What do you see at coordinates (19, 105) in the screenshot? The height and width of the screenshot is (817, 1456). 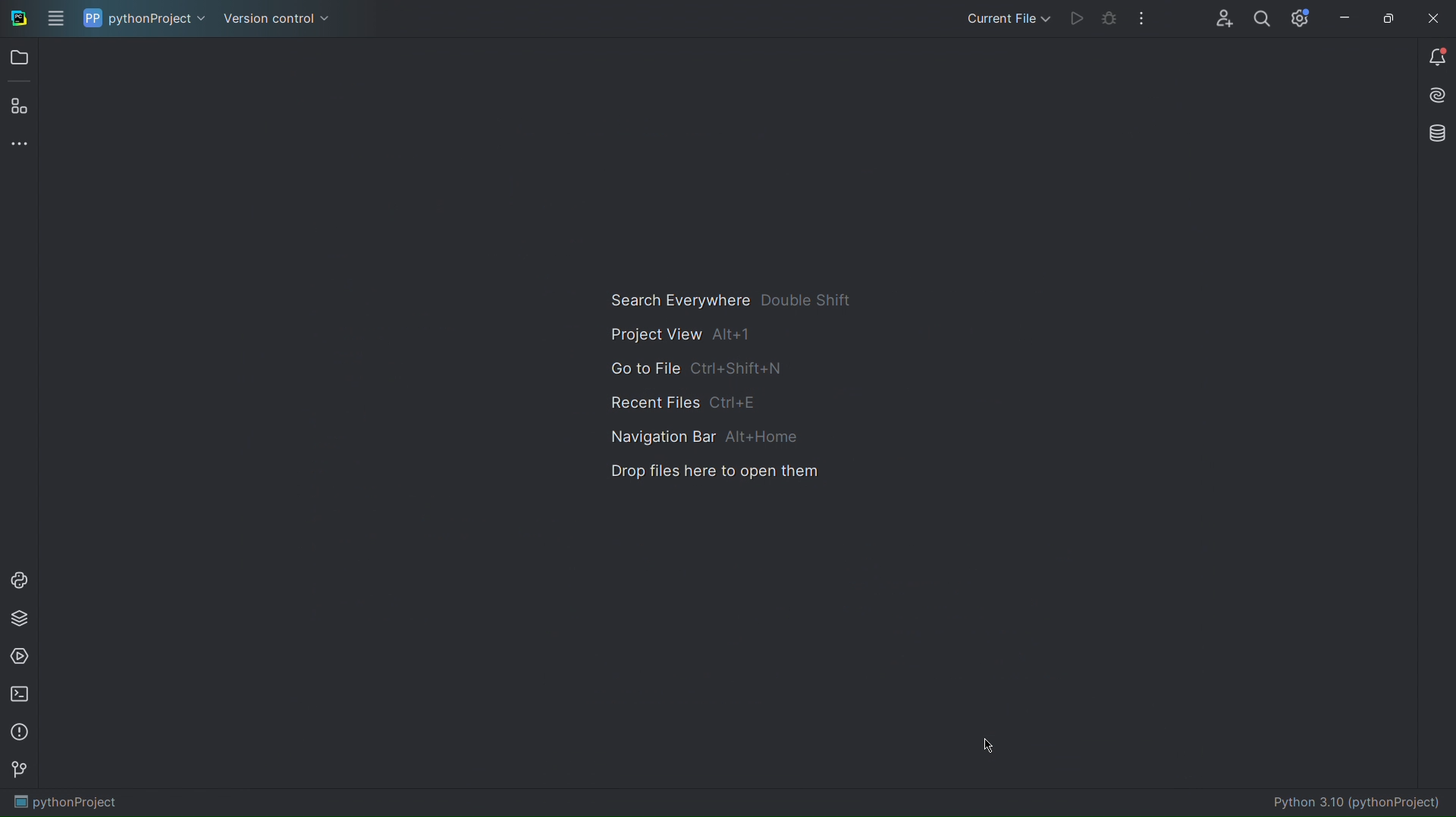 I see `Plugins` at bounding box center [19, 105].